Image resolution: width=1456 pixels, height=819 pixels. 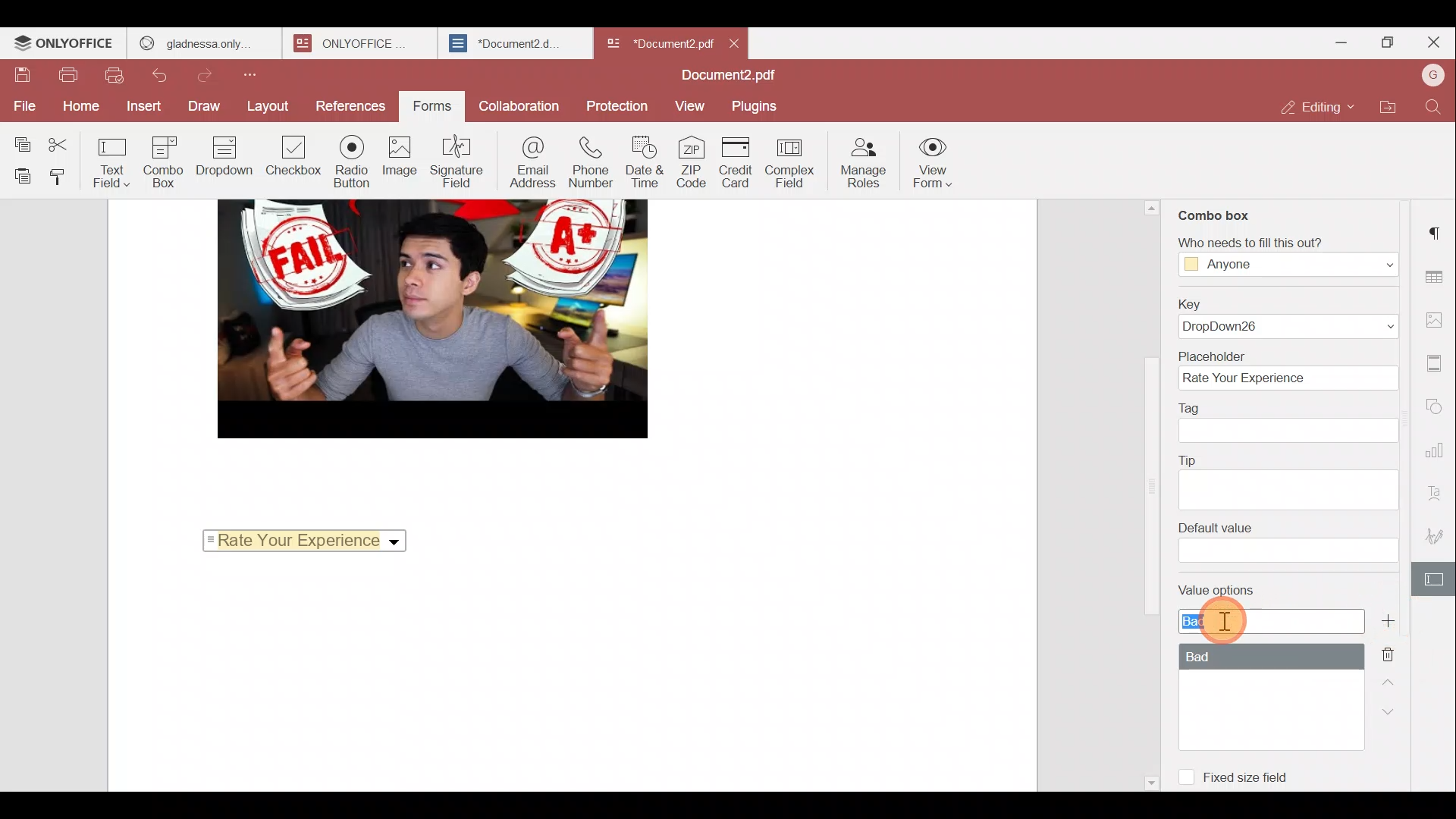 I want to click on File, so click(x=21, y=105).